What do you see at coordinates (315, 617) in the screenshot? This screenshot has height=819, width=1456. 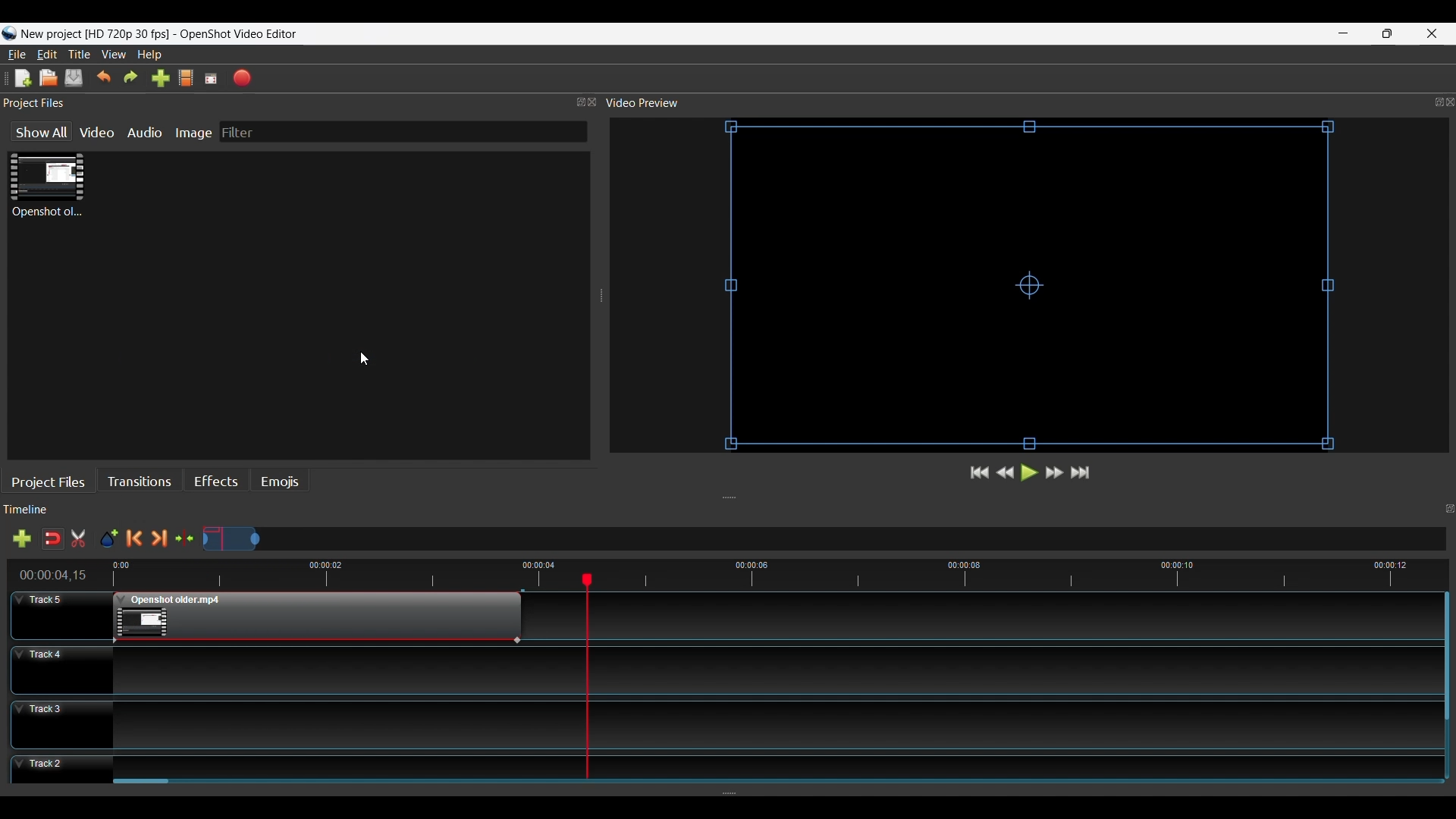 I see `Clip at track Panel` at bounding box center [315, 617].